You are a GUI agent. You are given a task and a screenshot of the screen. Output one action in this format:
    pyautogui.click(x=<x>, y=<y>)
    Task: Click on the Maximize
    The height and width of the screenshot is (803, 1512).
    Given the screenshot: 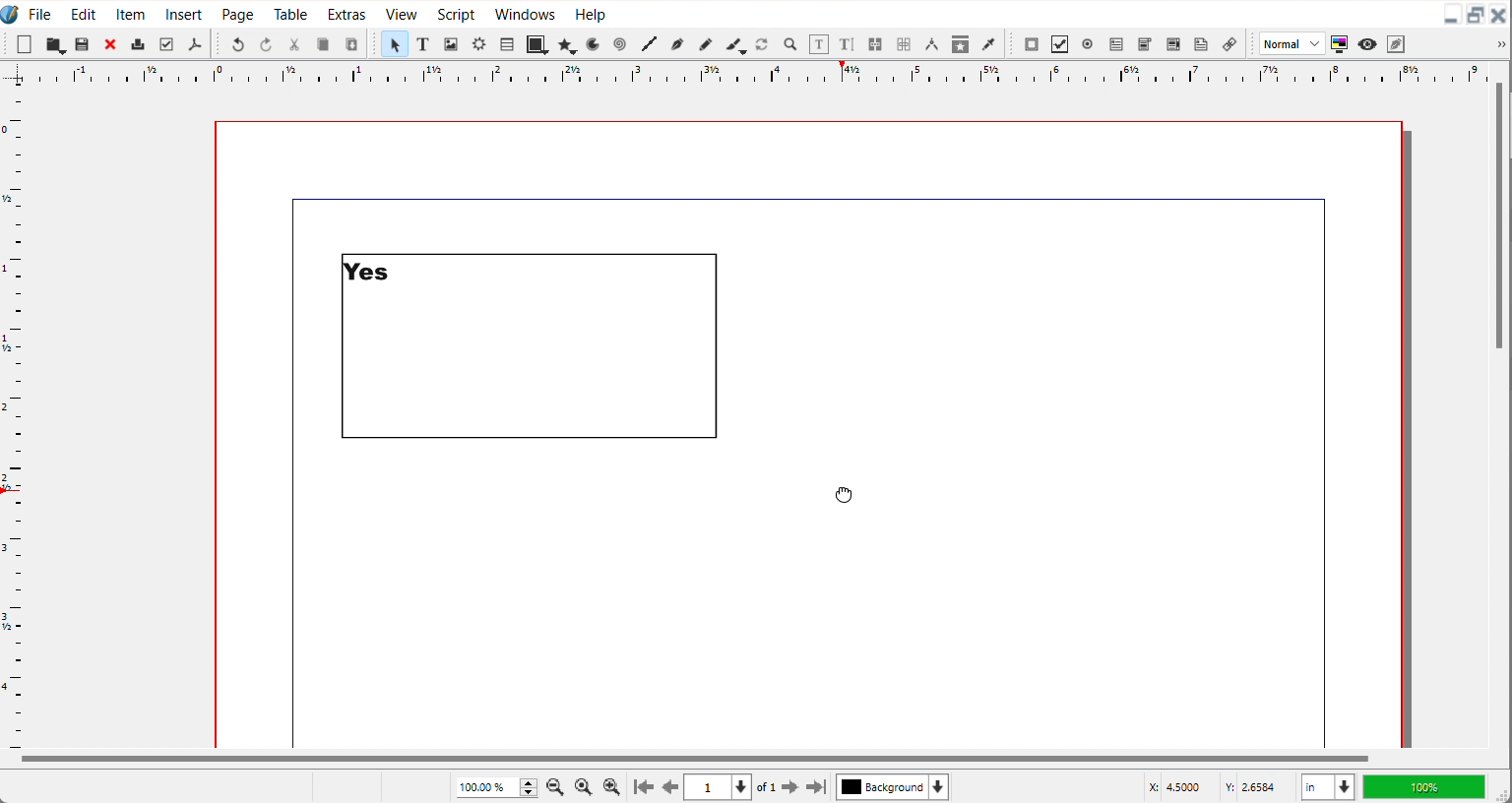 What is the action you would take?
    pyautogui.click(x=1476, y=16)
    